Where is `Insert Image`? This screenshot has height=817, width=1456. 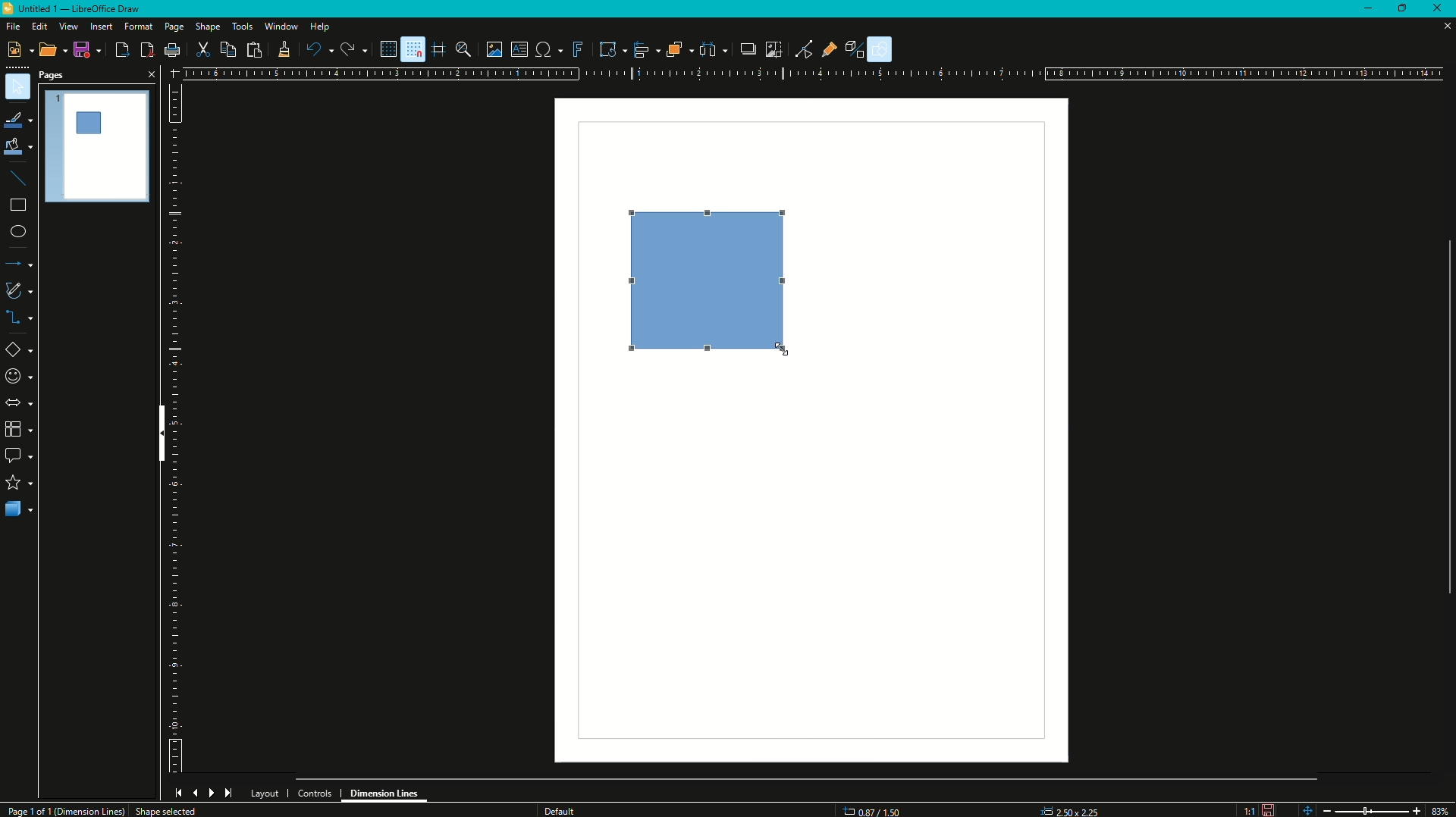
Insert Image is located at coordinates (494, 49).